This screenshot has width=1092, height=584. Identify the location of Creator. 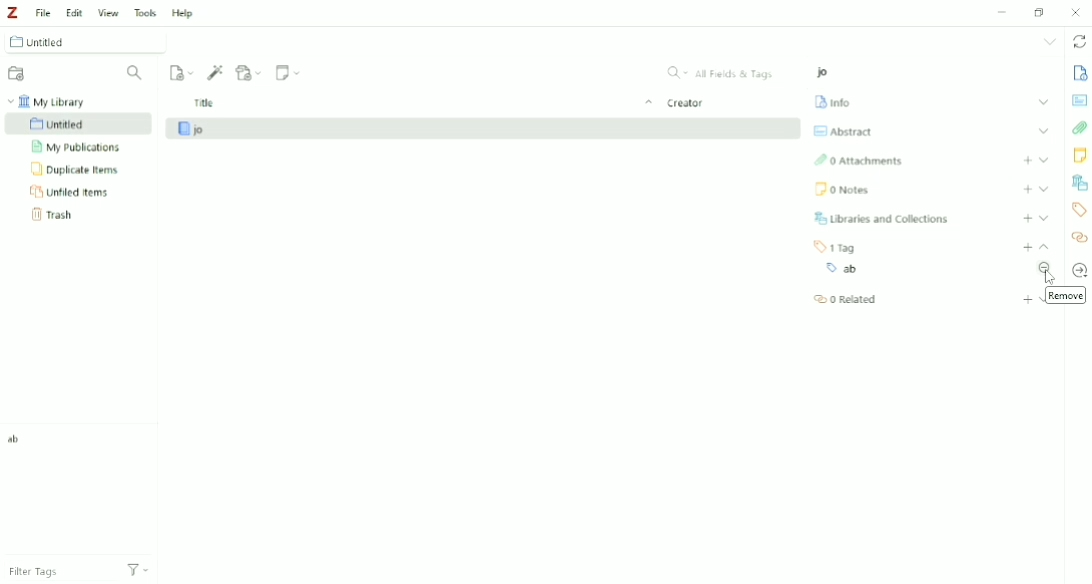
(701, 102).